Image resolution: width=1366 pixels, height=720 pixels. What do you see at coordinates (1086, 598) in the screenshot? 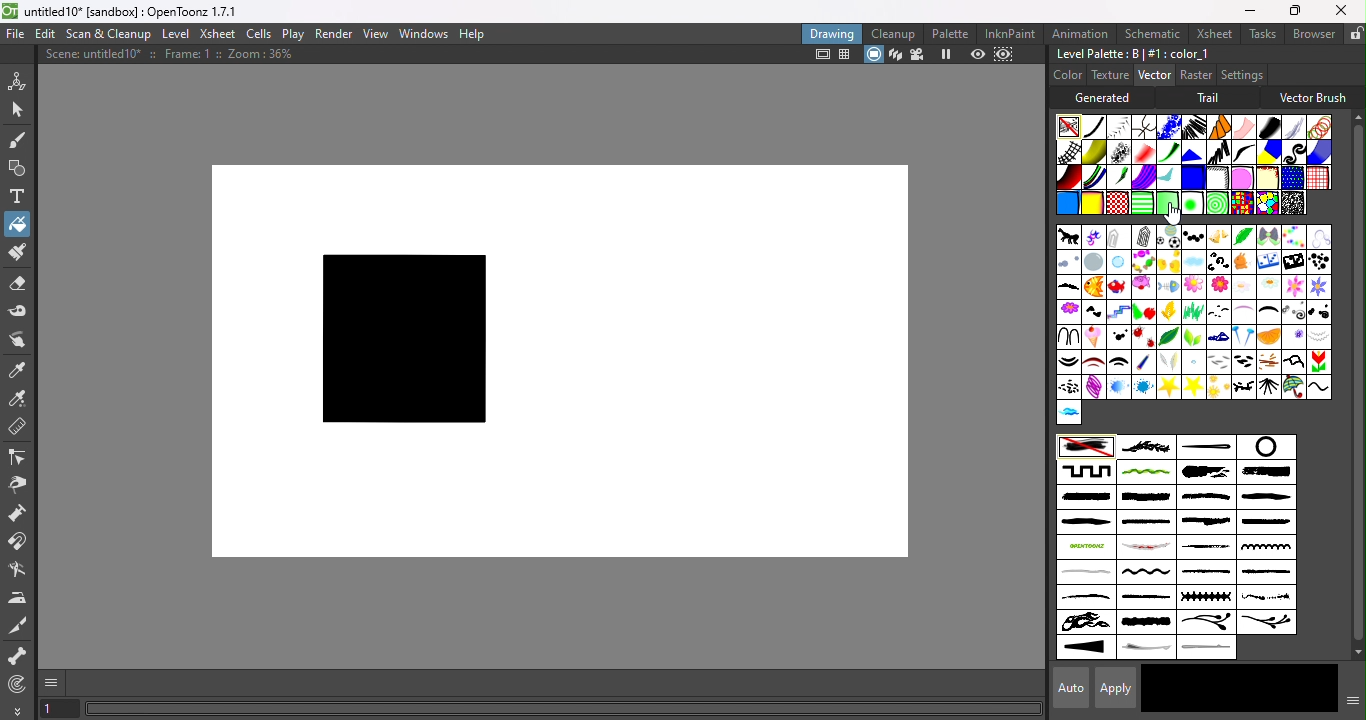
I see `small_brush3` at bounding box center [1086, 598].